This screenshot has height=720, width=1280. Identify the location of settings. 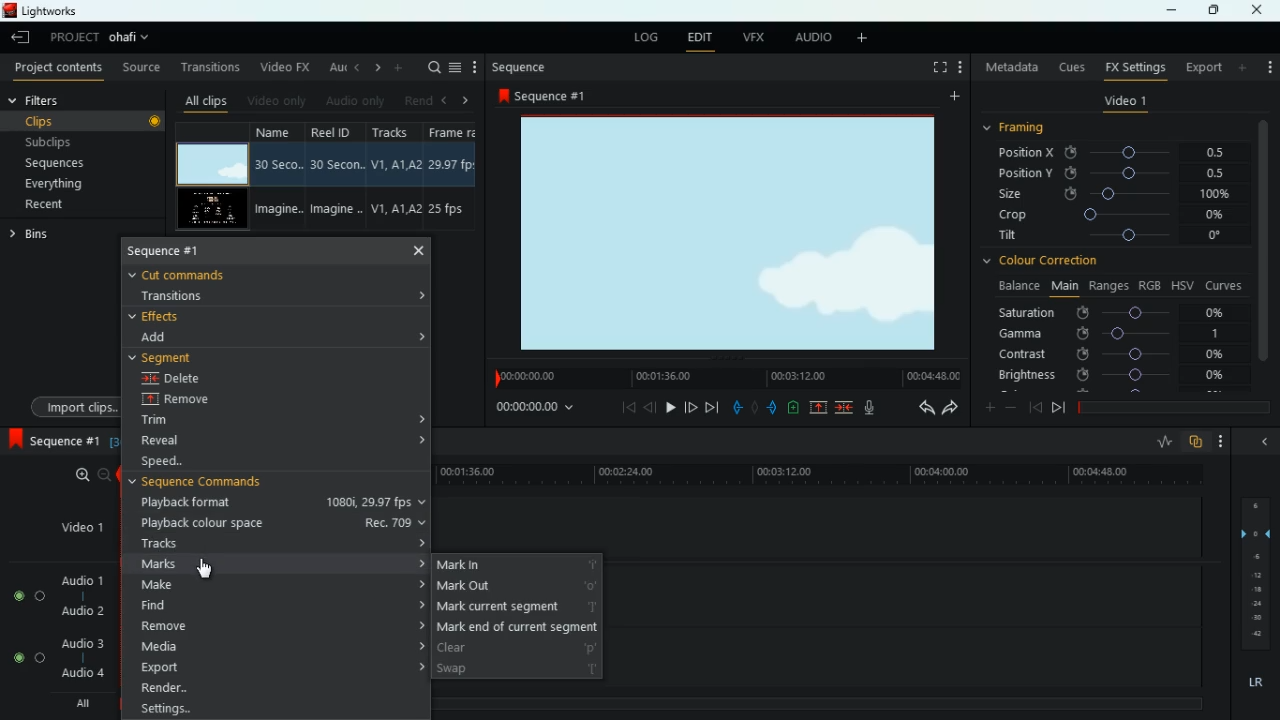
(1268, 65).